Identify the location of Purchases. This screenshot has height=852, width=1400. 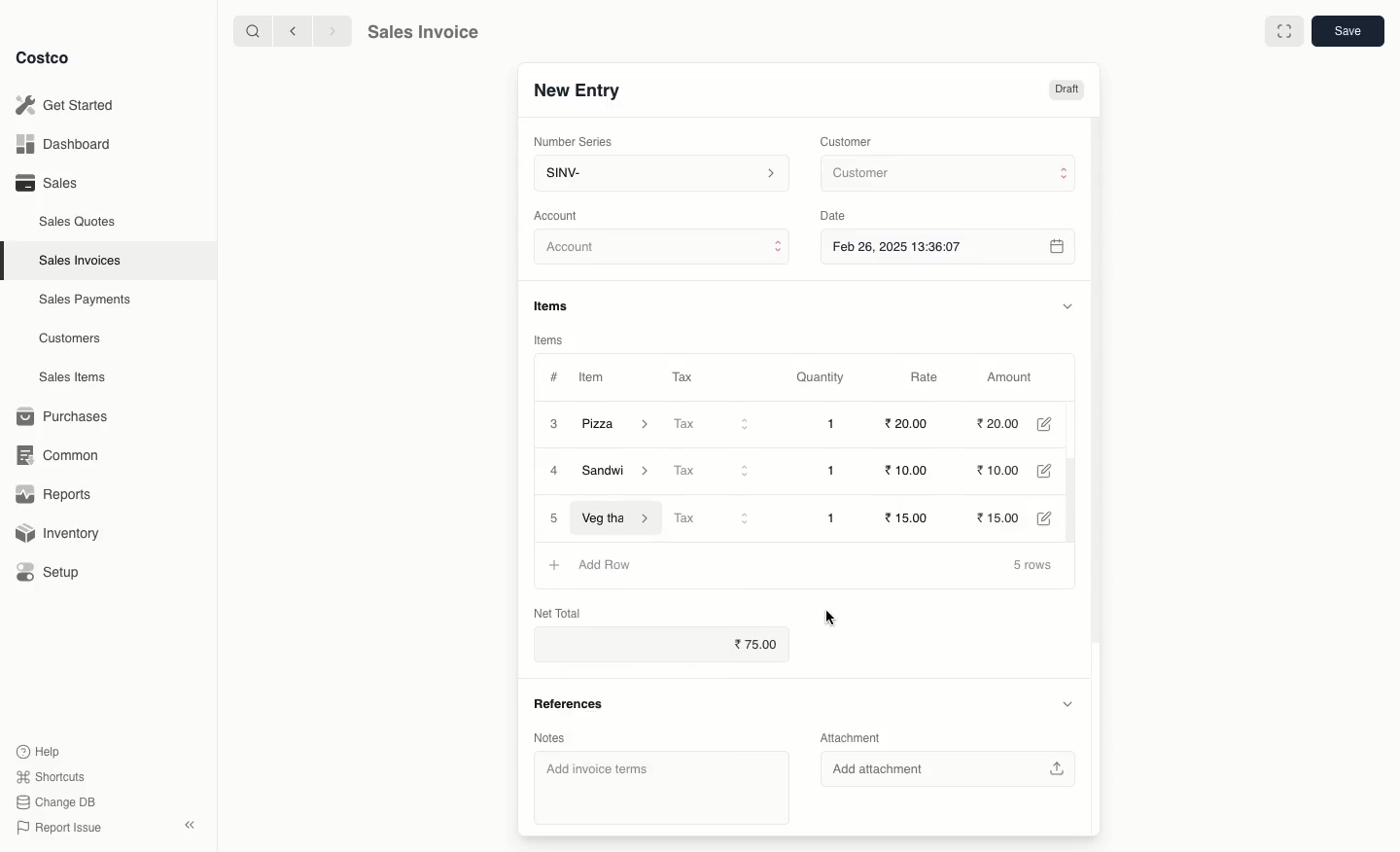
(67, 416).